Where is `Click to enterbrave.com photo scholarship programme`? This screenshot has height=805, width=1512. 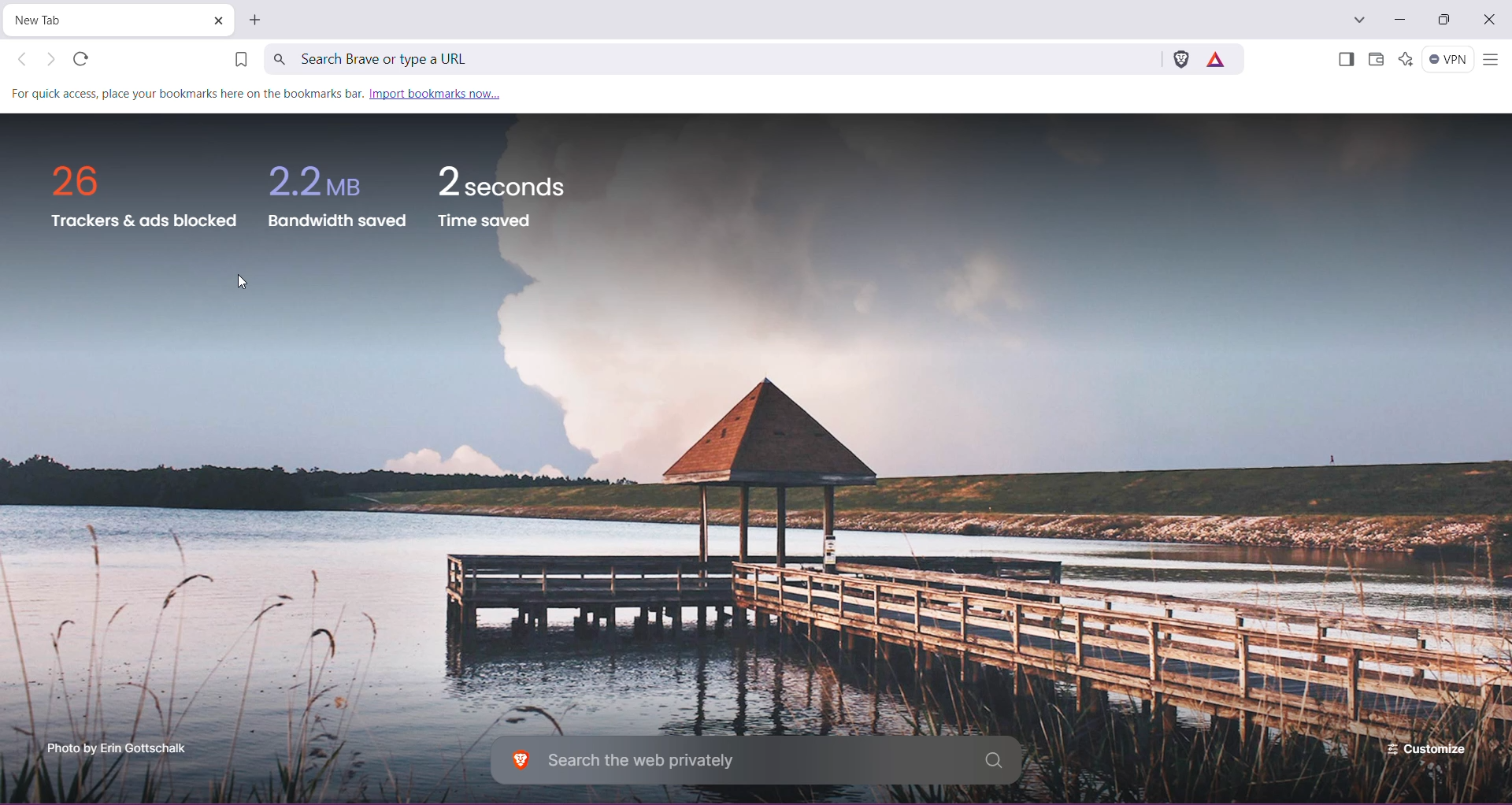 Click to enterbrave.com photo scholarship programme is located at coordinates (118, 747).